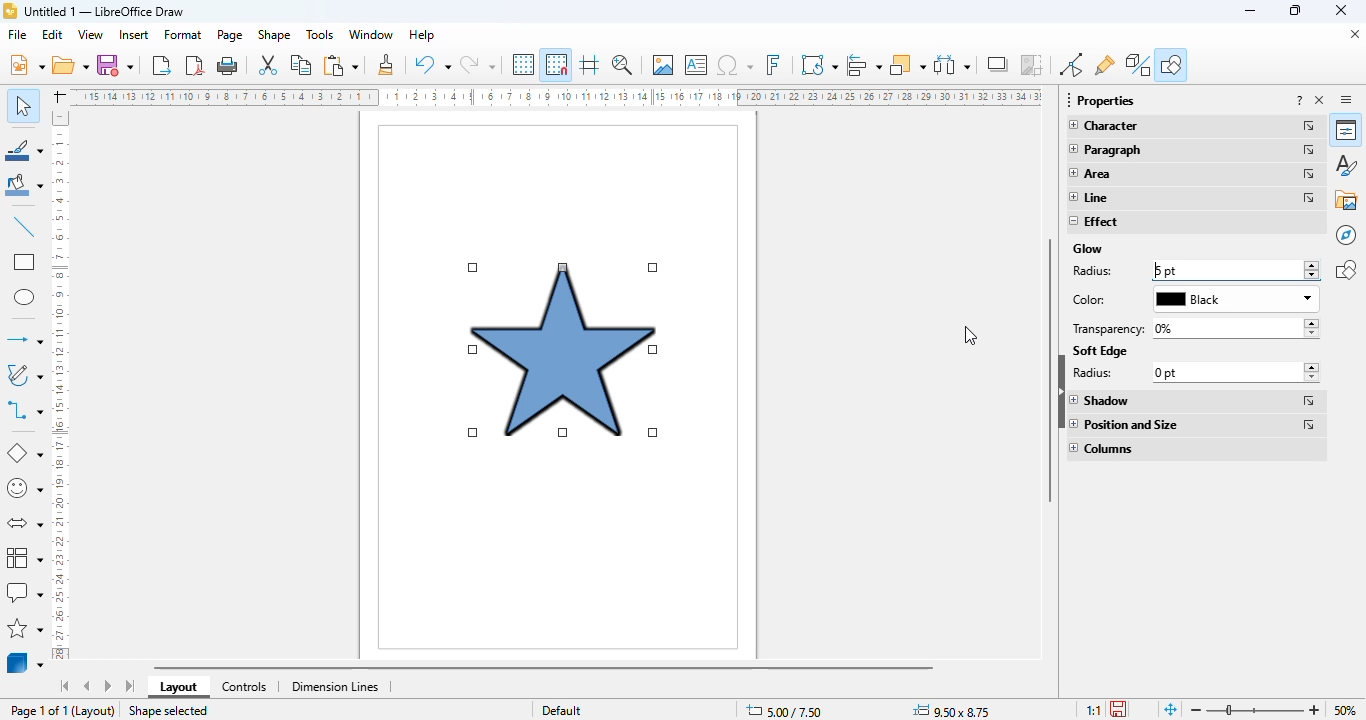  Describe the element at coordinates (26, 452) in the screenshot. I see `basic shapes` at that location.